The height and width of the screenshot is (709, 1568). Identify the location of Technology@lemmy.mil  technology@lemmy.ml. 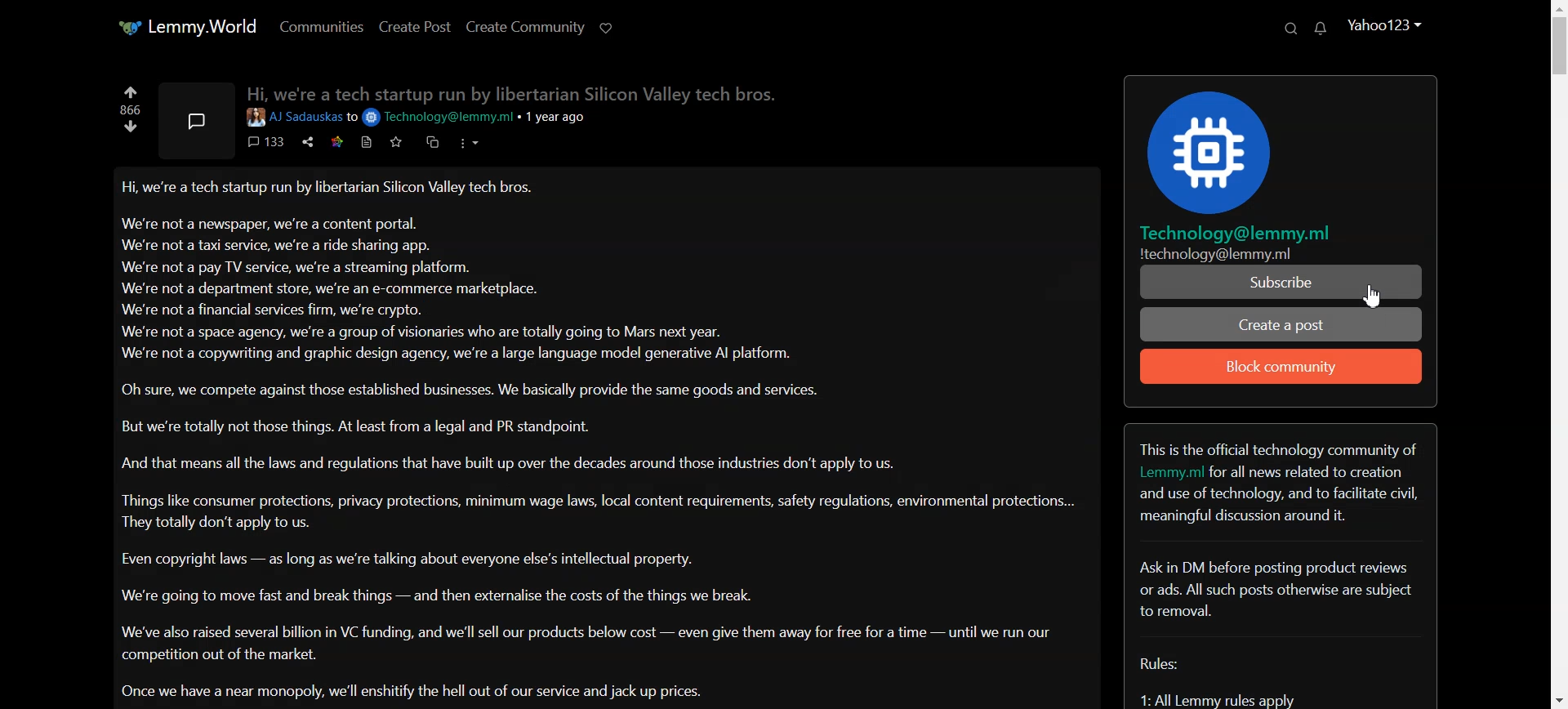
(1263, 243).